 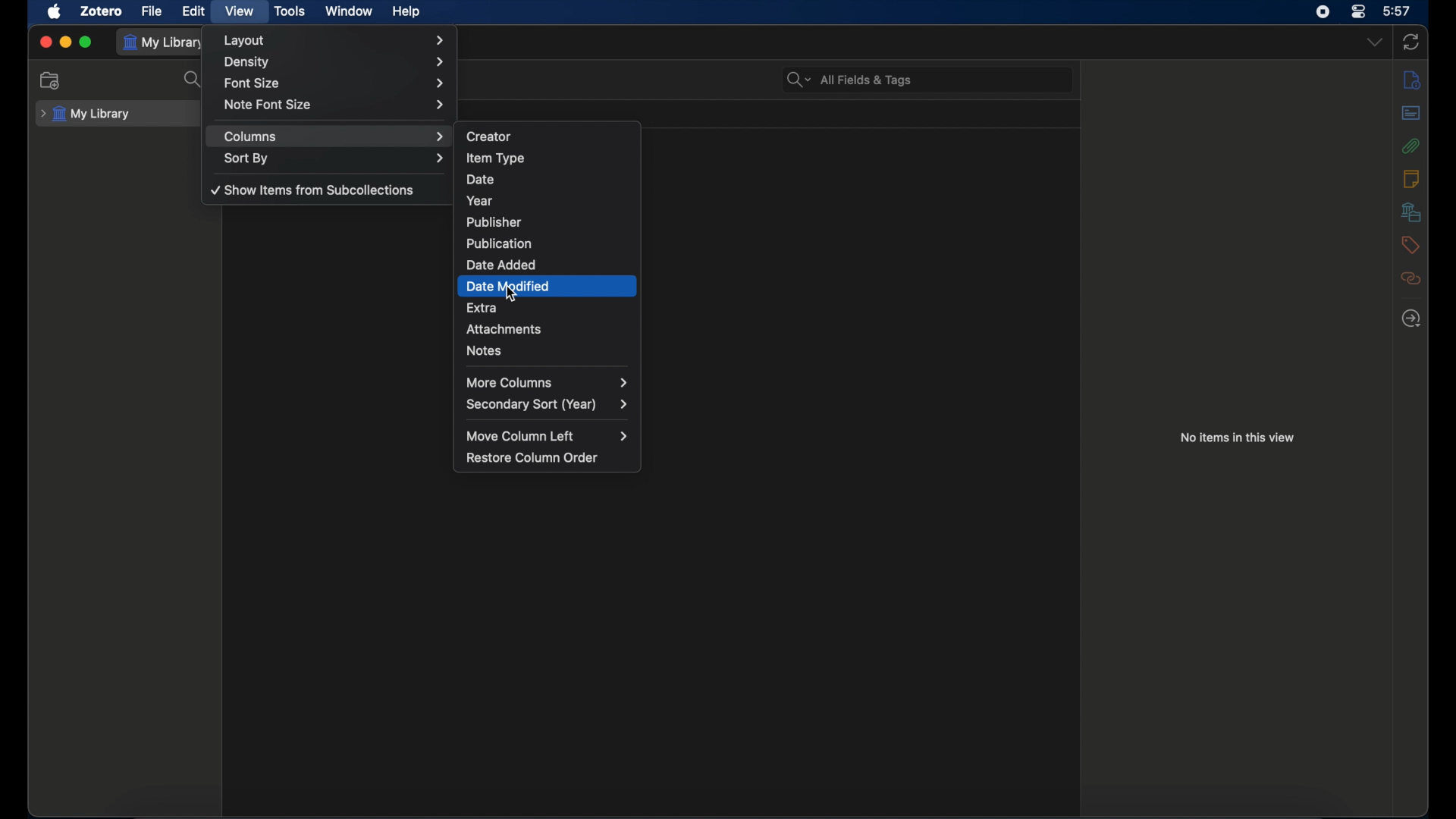 What do you see at coordinates (347, 11) in the screenshot?
I see `window` at bounding box center [347, 11].